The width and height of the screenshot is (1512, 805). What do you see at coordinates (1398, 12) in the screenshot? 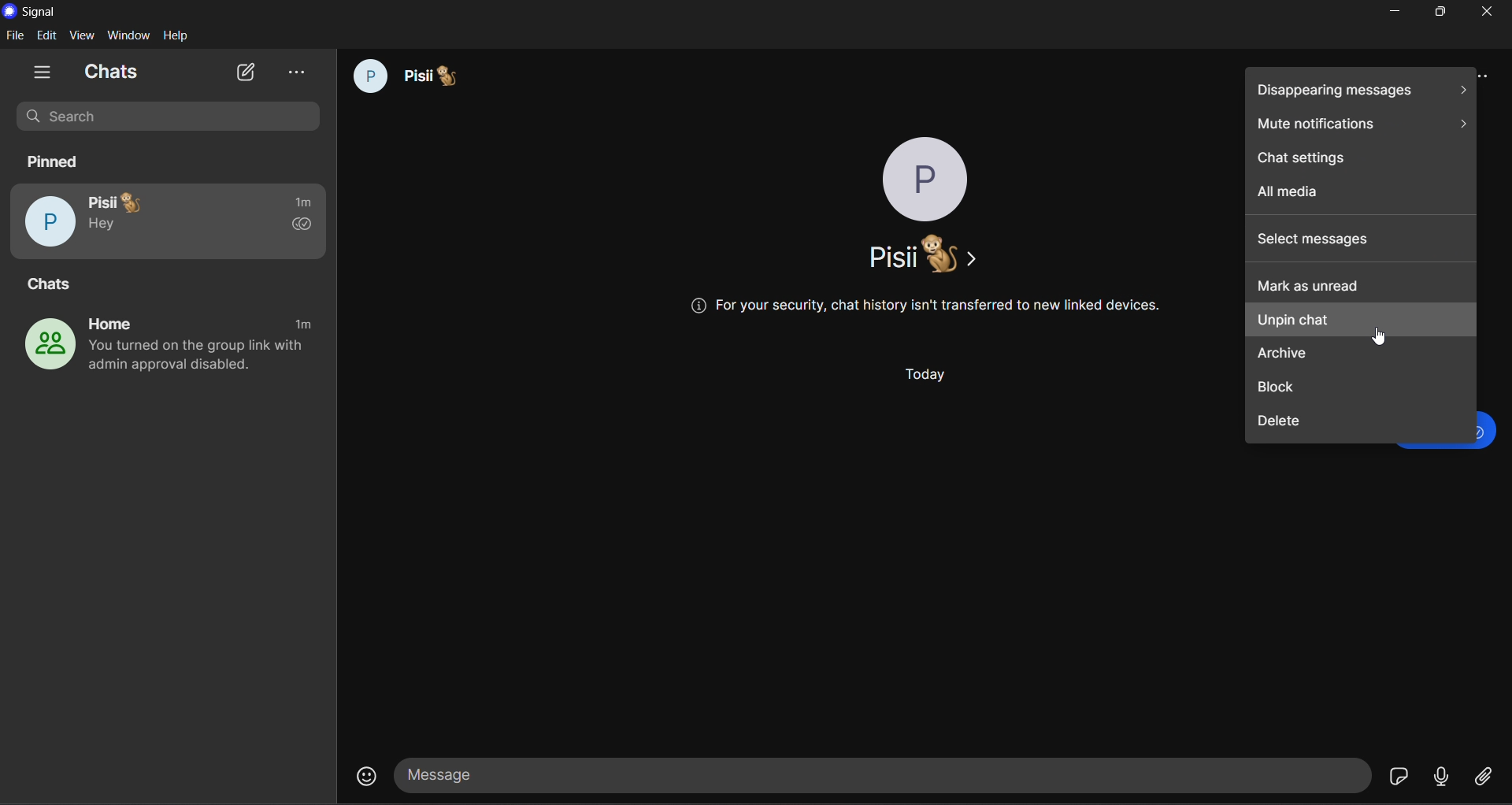
I see `minimize` at bounding box center [1398, 12].